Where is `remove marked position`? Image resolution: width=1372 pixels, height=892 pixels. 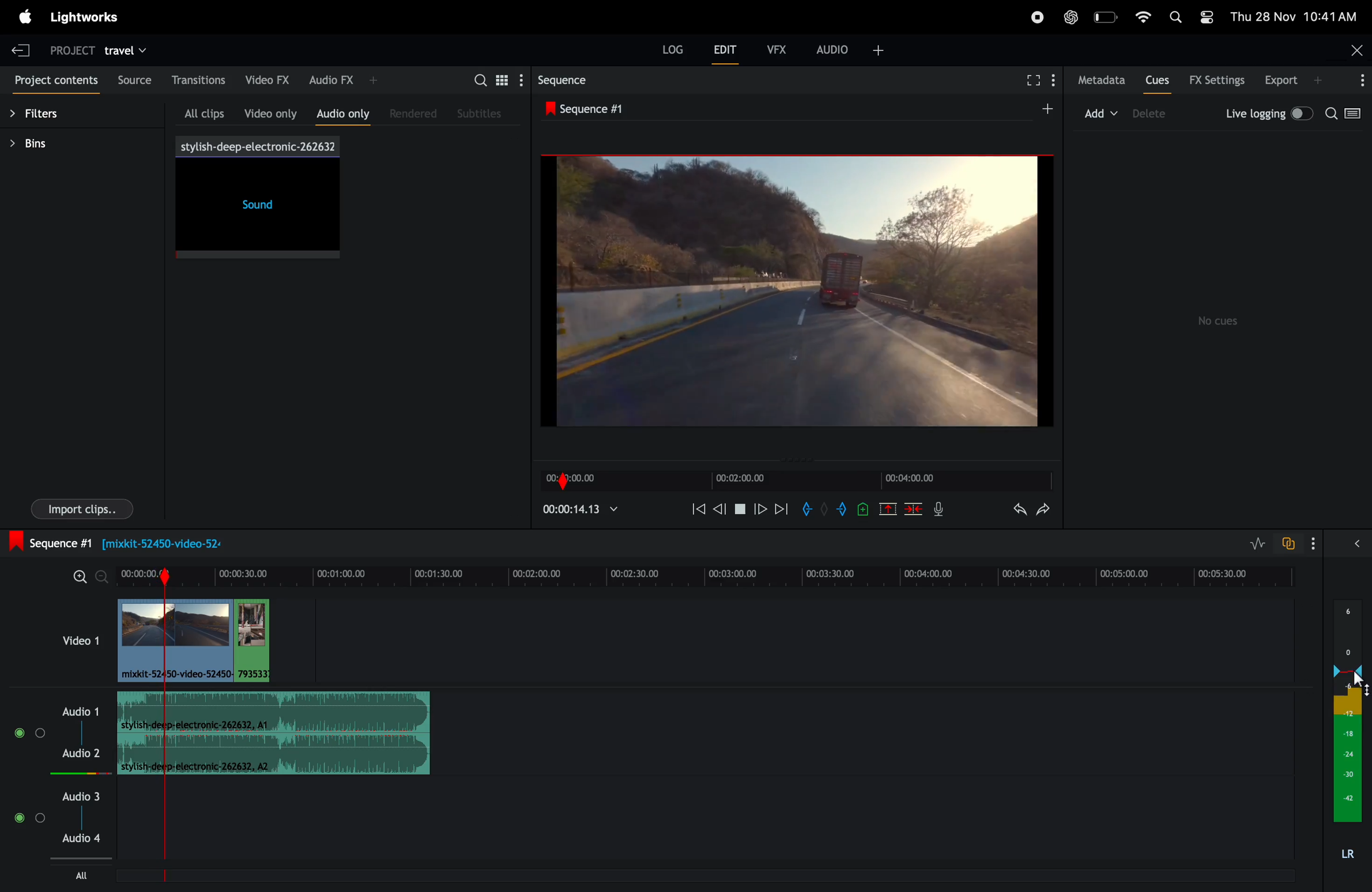 remove marked position is located at coordinates (887, 508).